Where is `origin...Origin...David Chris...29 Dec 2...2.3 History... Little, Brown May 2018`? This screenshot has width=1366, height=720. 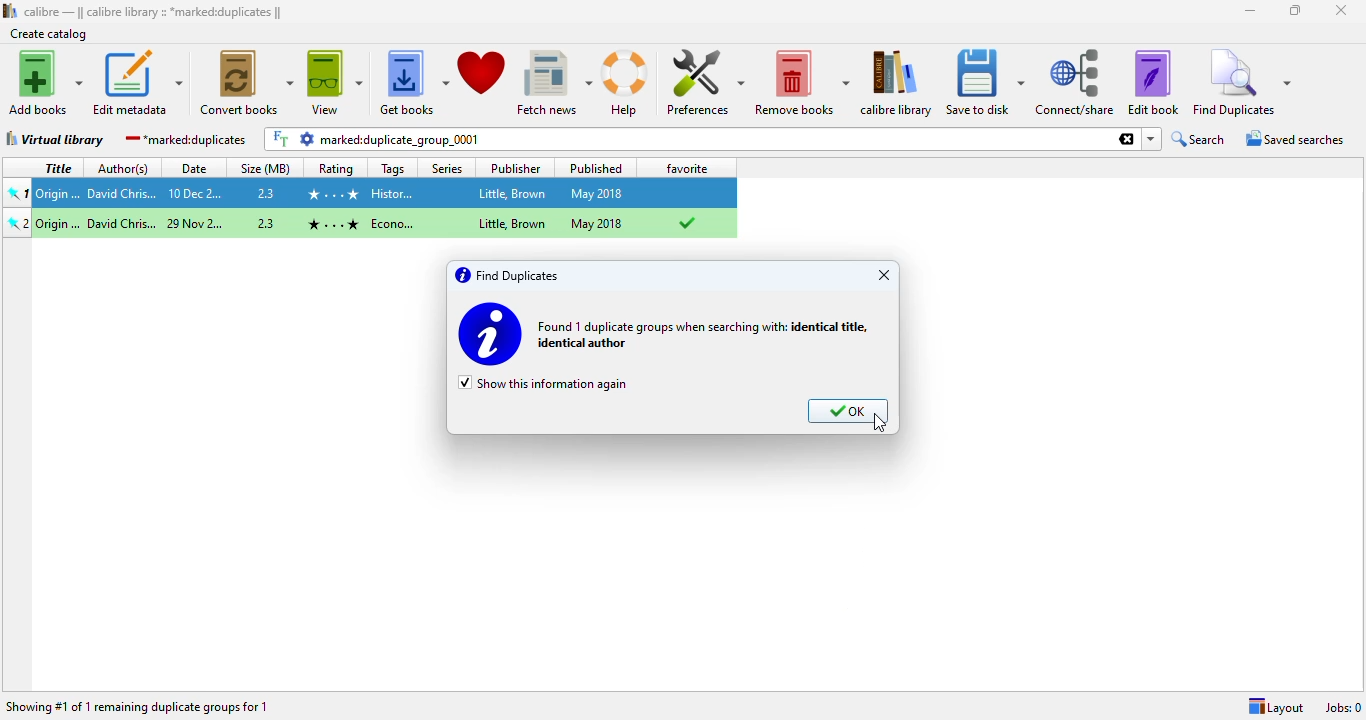 origin...Origin...David Chris...29 Dec 2...2.3 History... Little, Brown May 2018 is located at coordinates (382, 223).